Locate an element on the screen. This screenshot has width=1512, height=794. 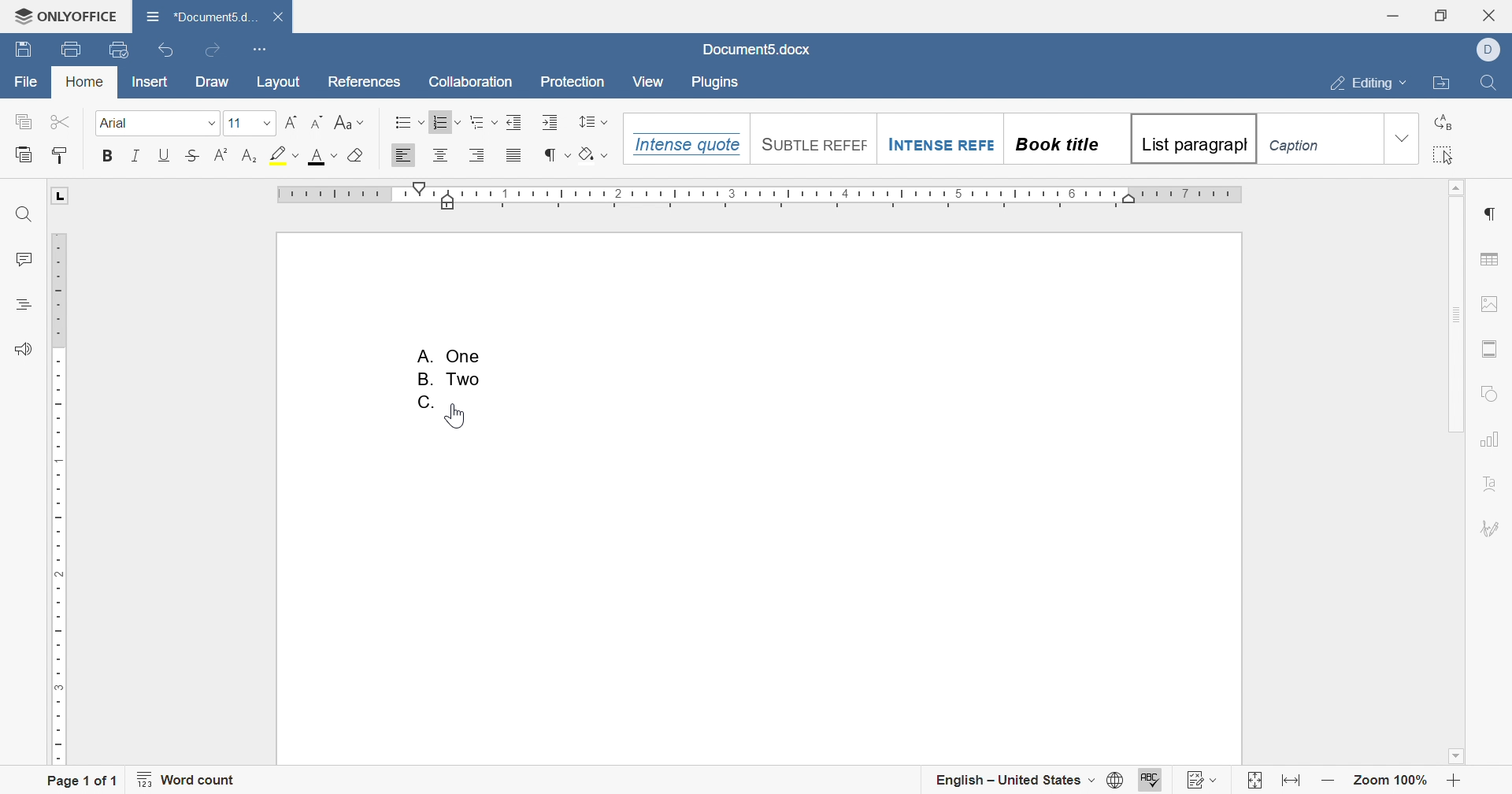
nonprinting characters is located at coordinates (557, 155).